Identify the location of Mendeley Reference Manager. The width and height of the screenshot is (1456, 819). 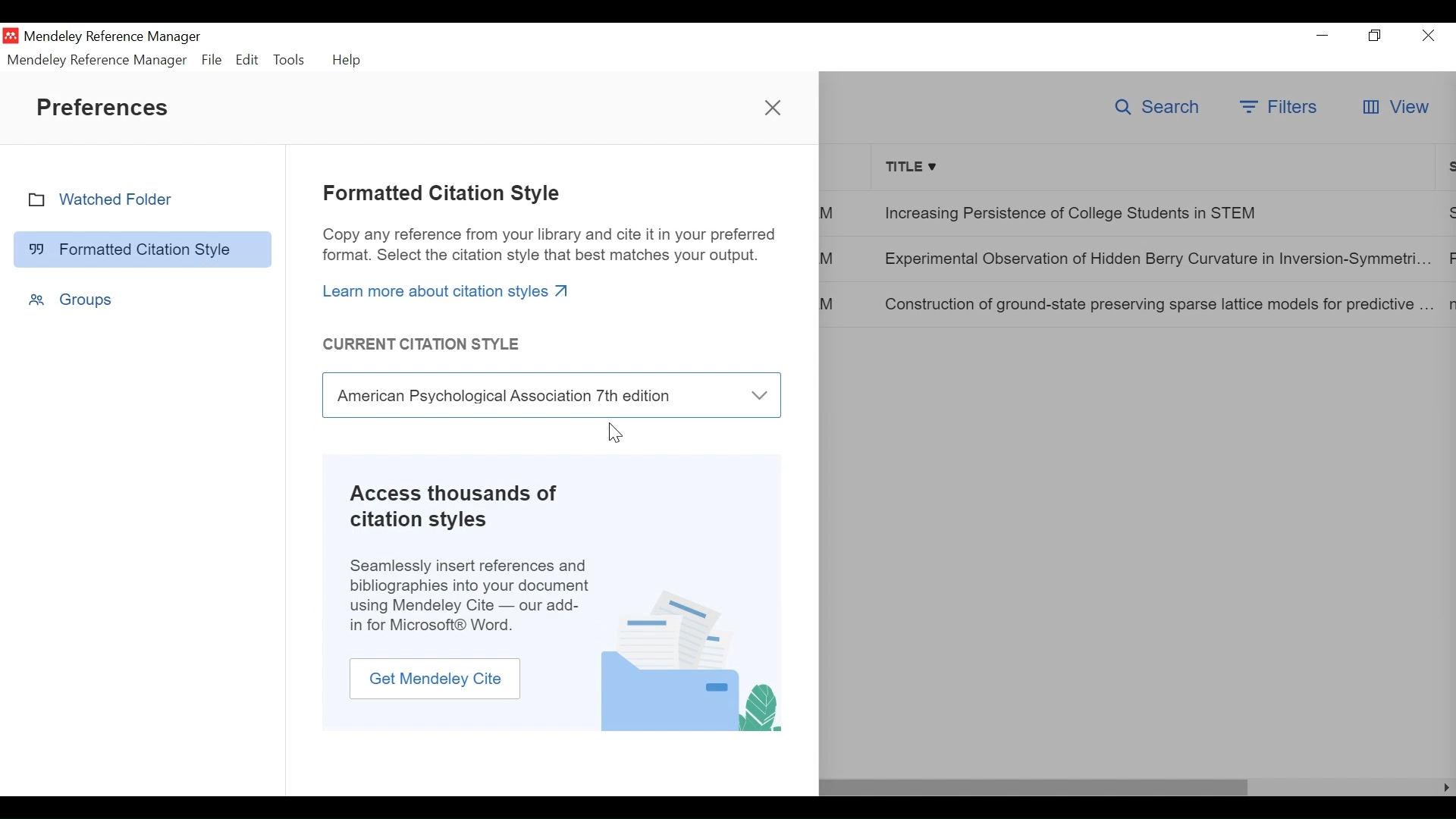
(98, 60).